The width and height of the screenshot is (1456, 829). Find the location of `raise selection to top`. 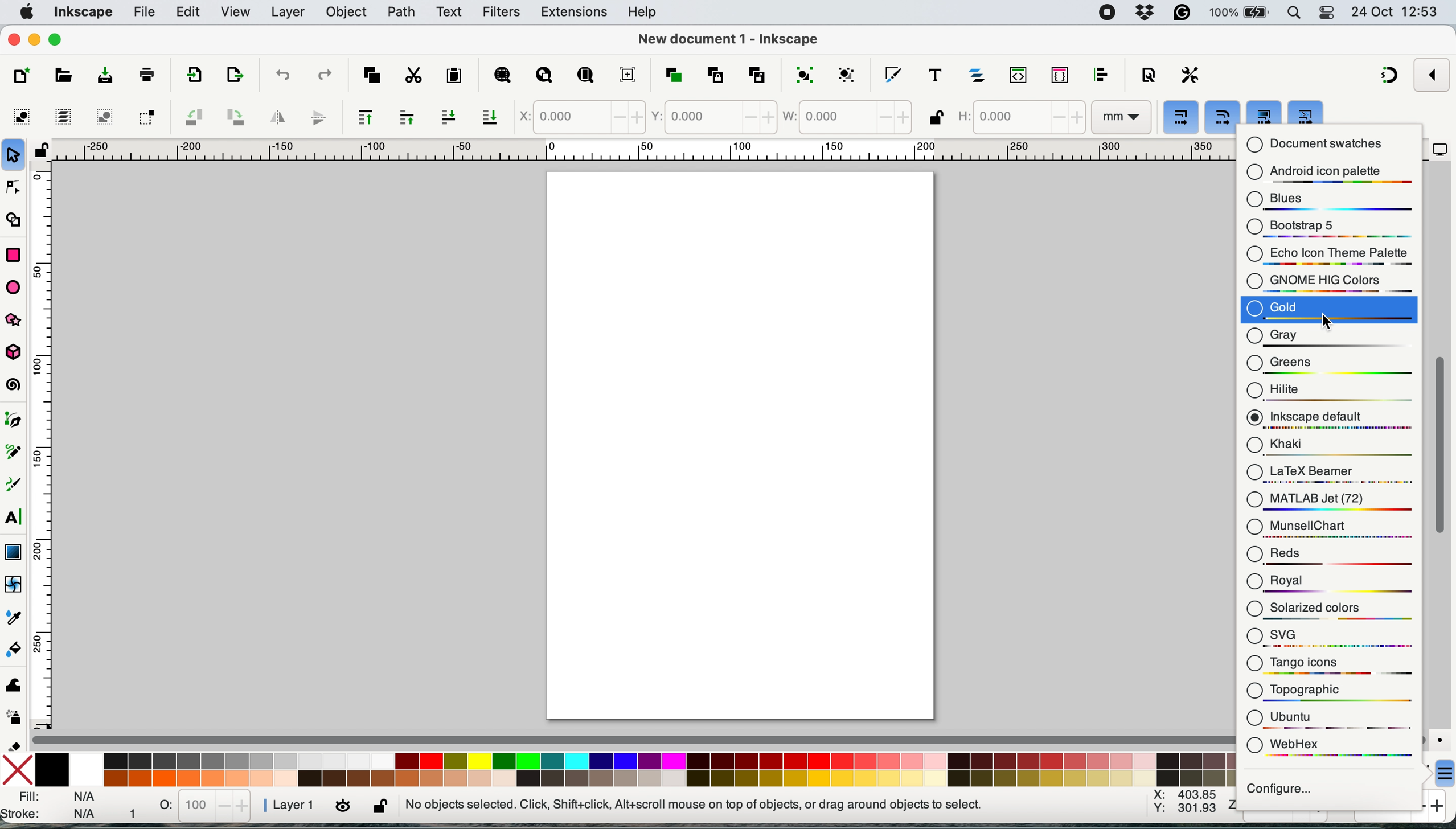

raise selection to top is located at coordinates (363, 118).